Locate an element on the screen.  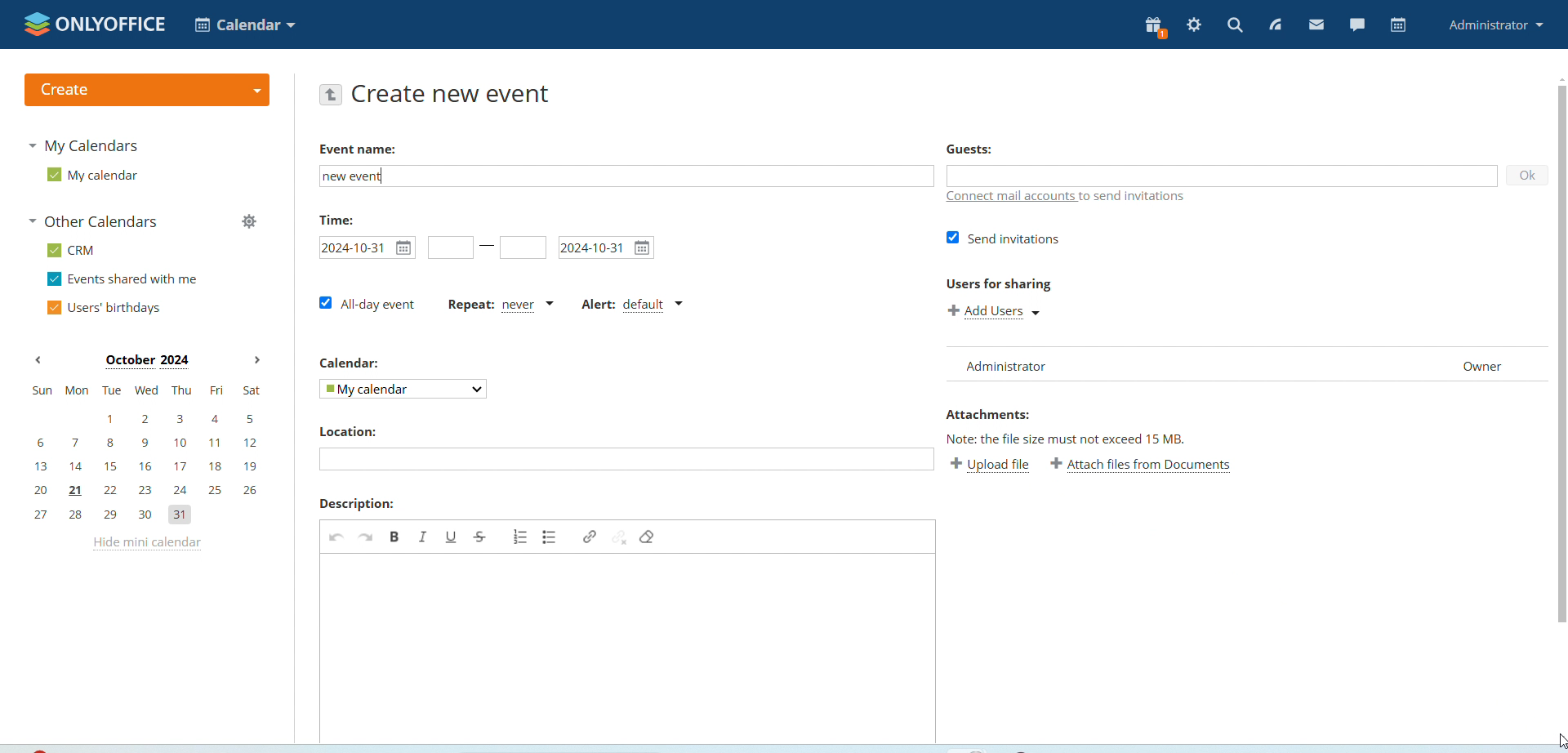
add numbered list is located at coordinates (519, 537).